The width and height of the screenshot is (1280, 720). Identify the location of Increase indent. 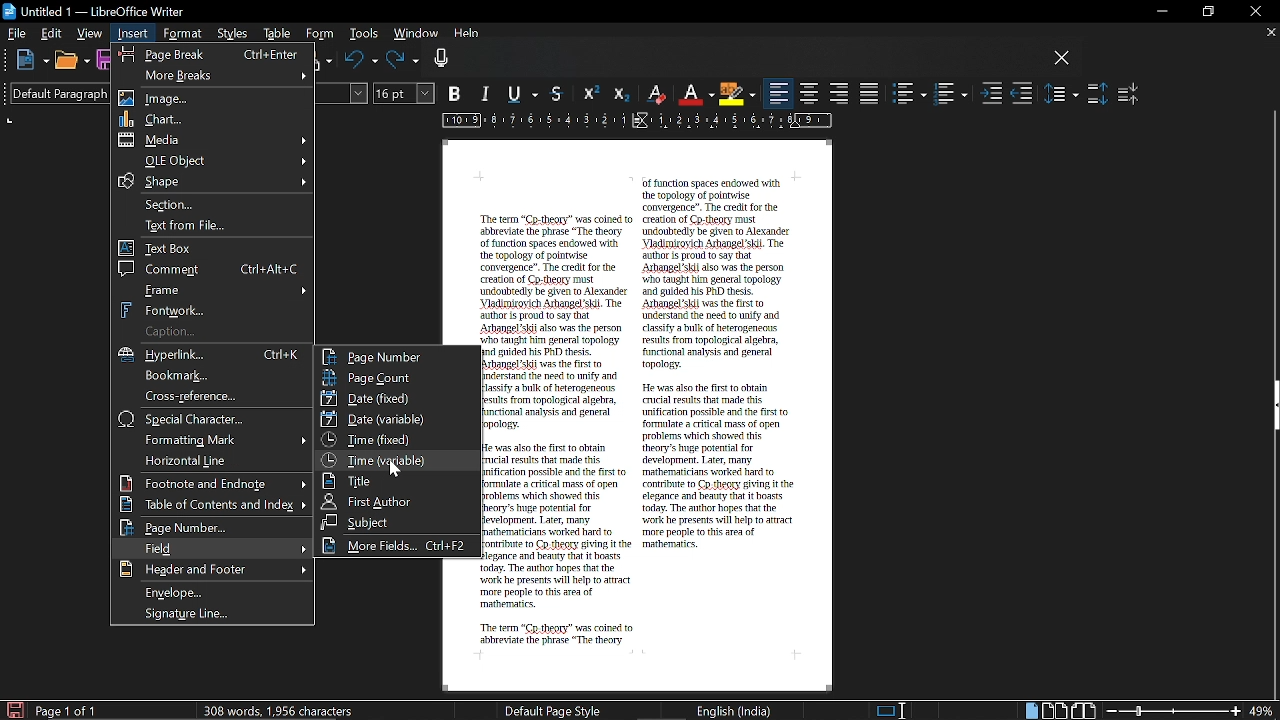
(992, 95).